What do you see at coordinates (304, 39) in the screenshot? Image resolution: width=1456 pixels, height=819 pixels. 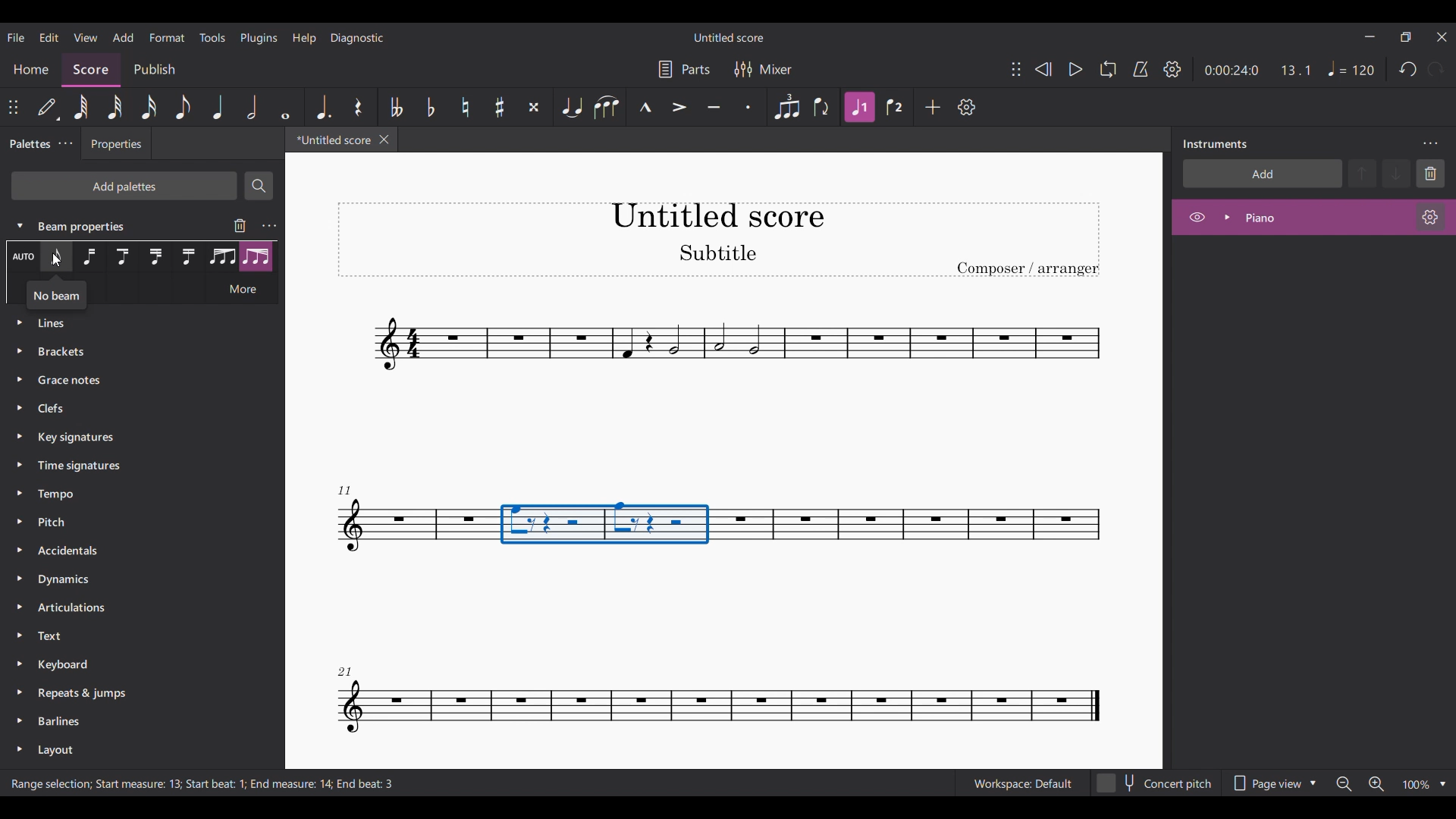 I see `Help menu` at bounding box center [304, 39].